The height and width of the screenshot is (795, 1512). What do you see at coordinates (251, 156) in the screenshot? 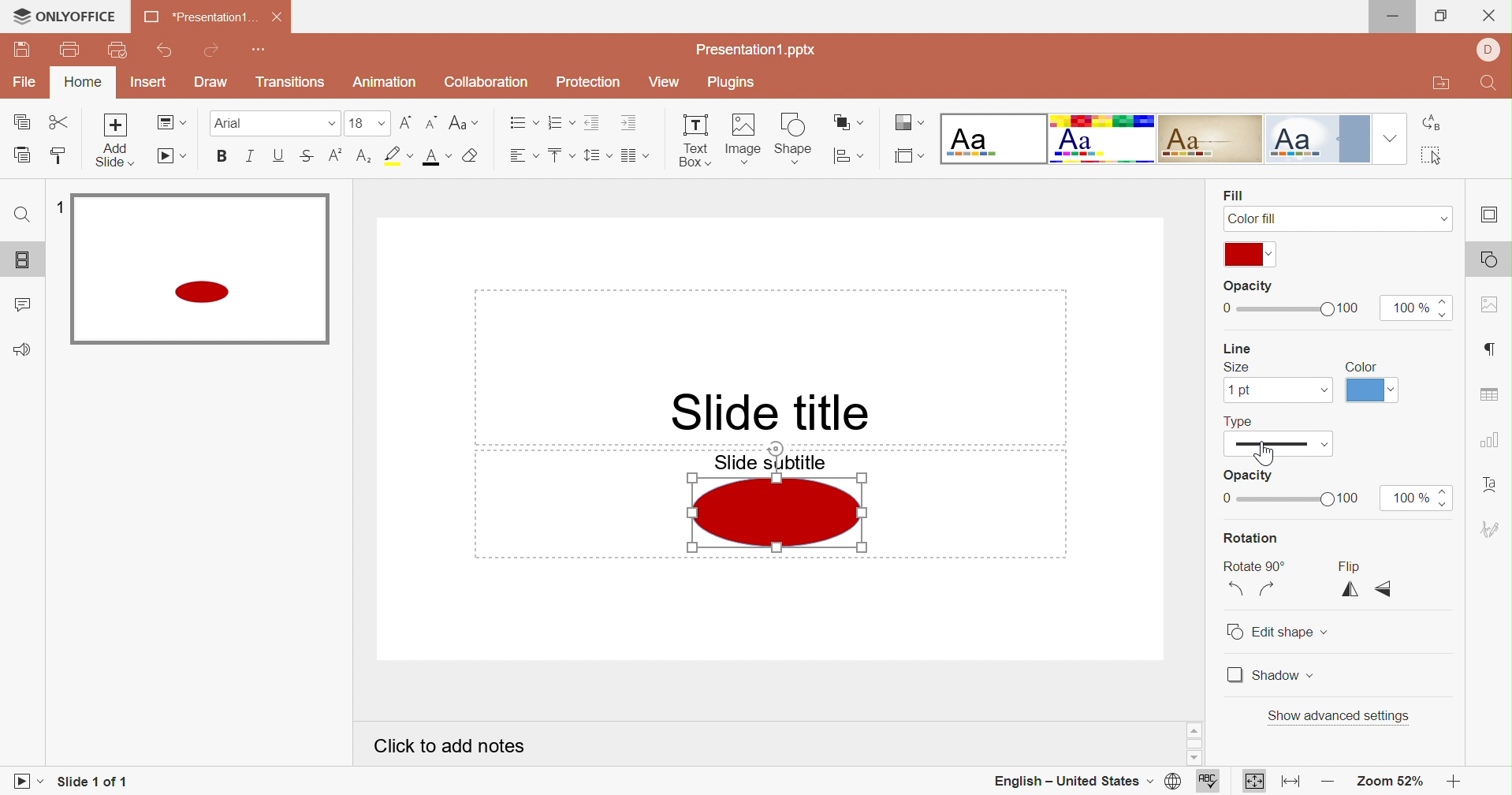
I see `Italic` at bounding box center [251, 156].